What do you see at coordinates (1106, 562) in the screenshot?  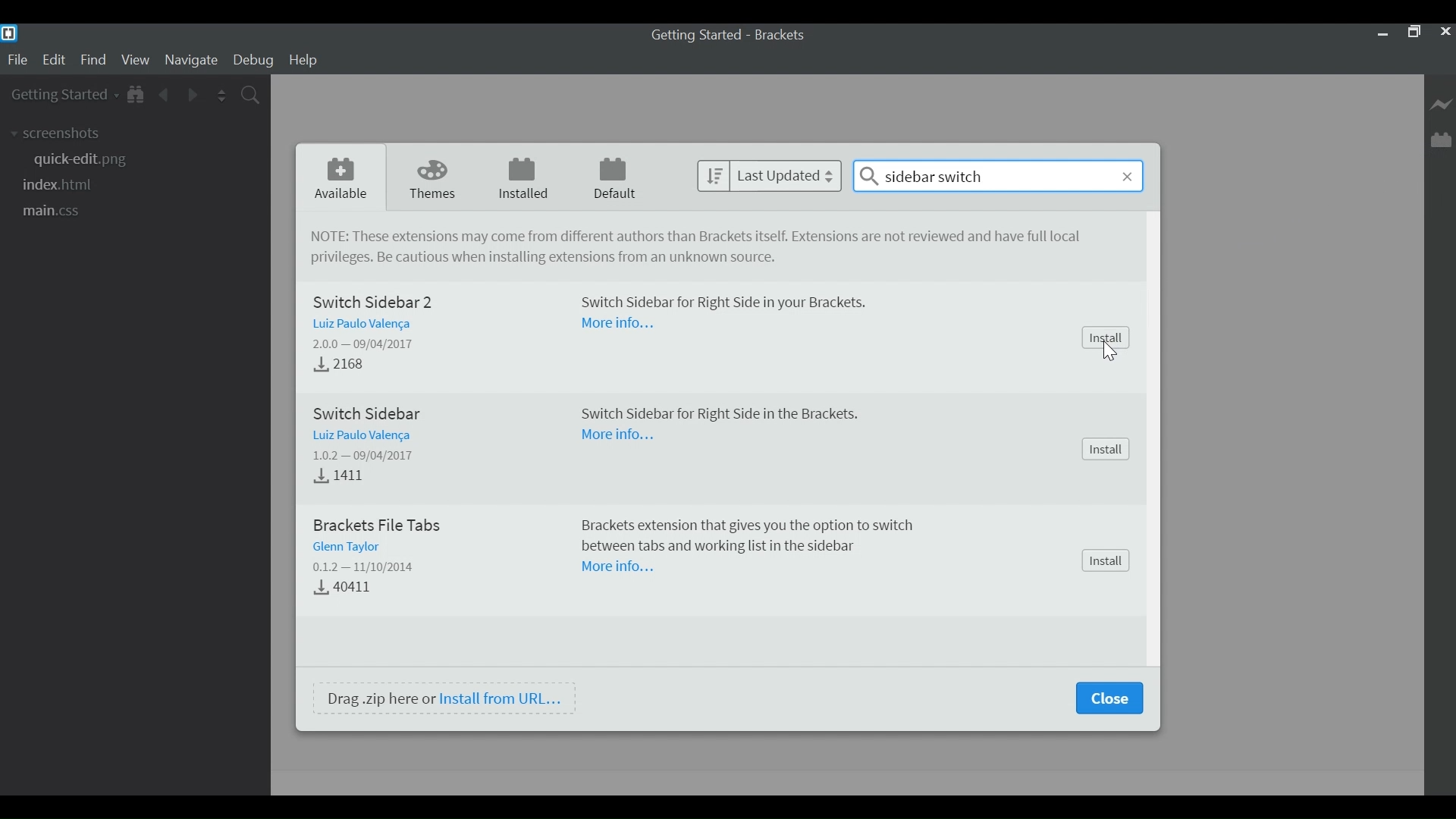 I see `Install` at bounding box center [1106, 562].